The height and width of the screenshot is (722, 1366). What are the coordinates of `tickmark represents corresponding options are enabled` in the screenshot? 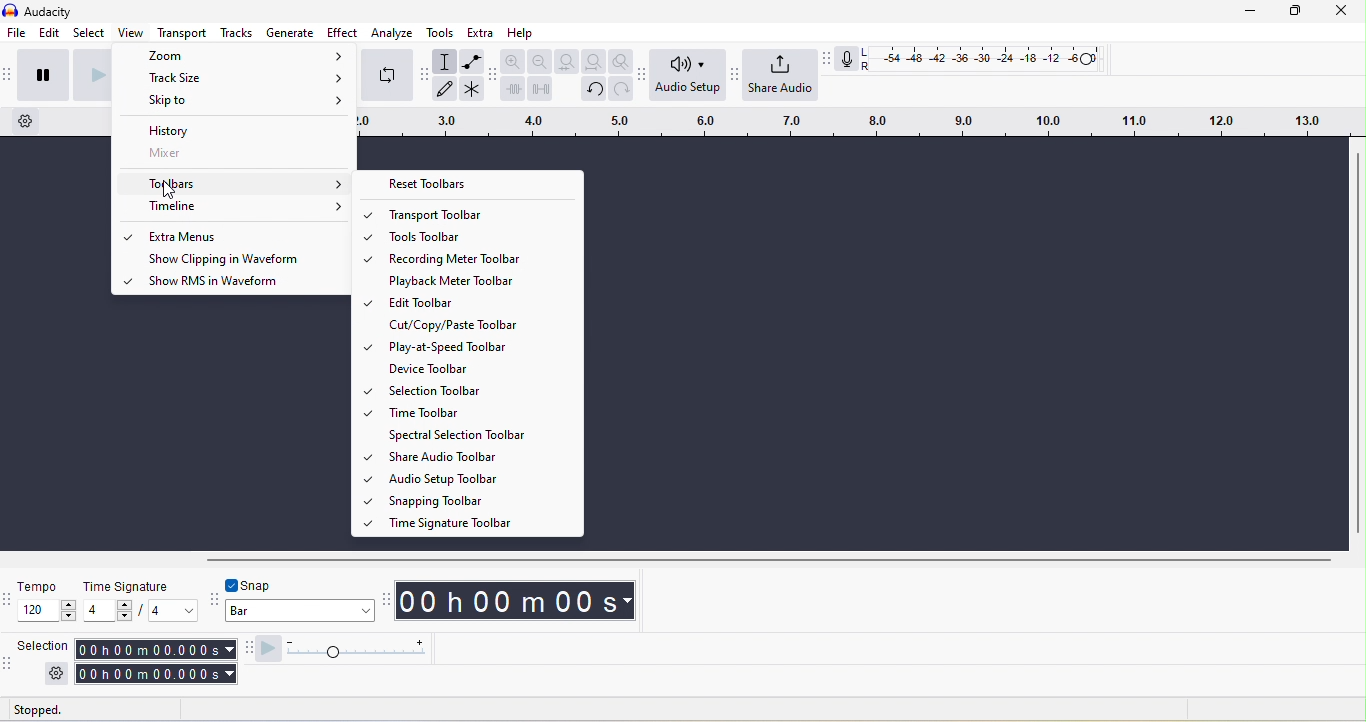 It's located at (367, 369).